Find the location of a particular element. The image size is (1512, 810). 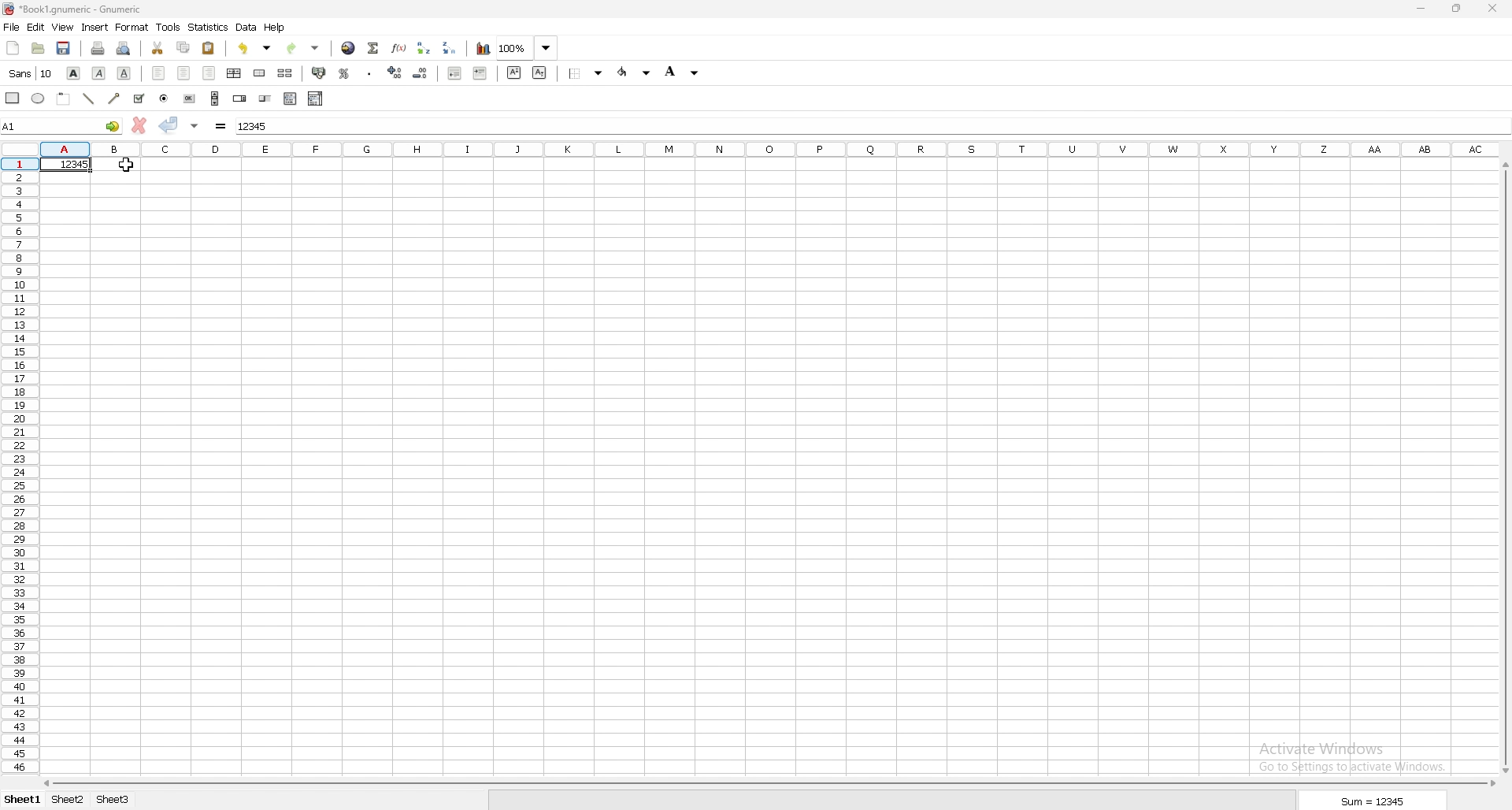

sort descending is located at coordinates (450, 48).